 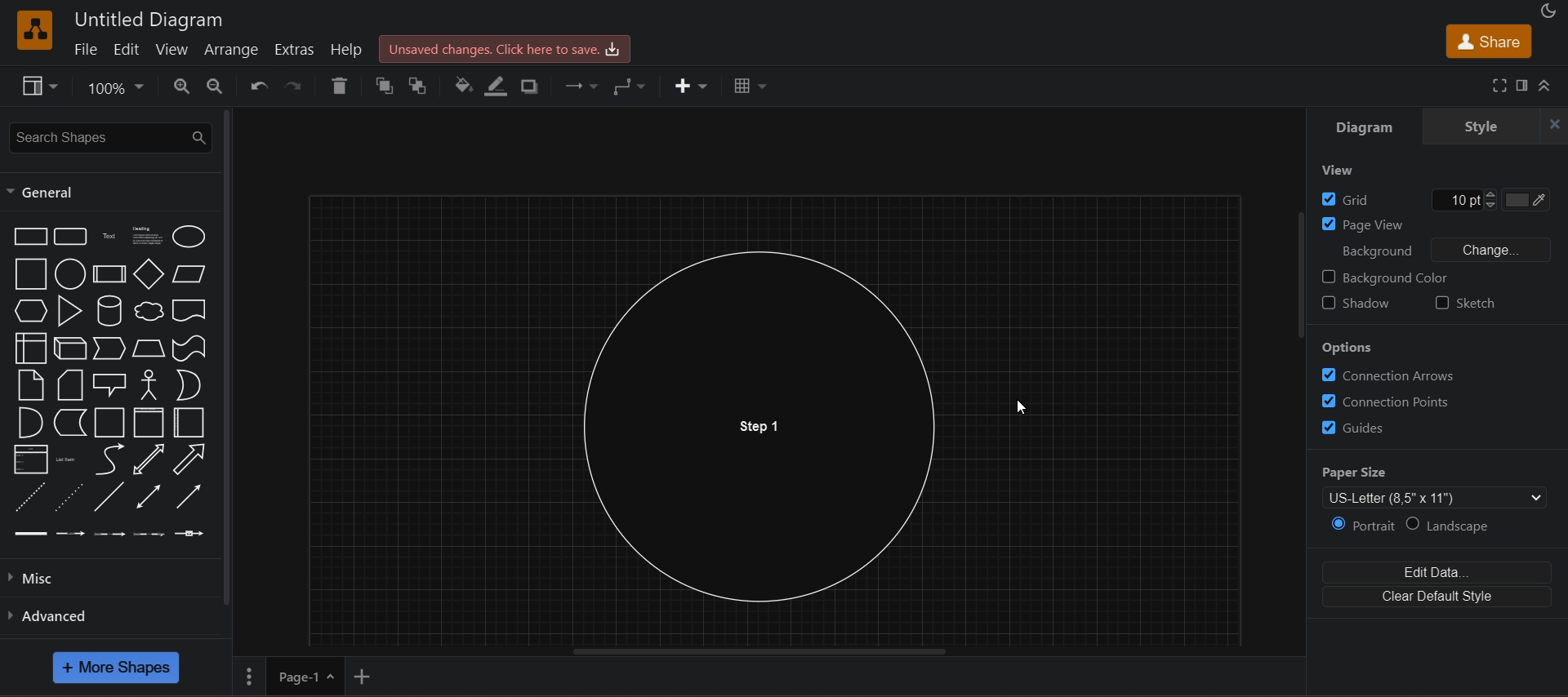 What do you see at coordinates (190, 274) in the screenshot?
I see `parallelogram` at bounding box center [190, 274].